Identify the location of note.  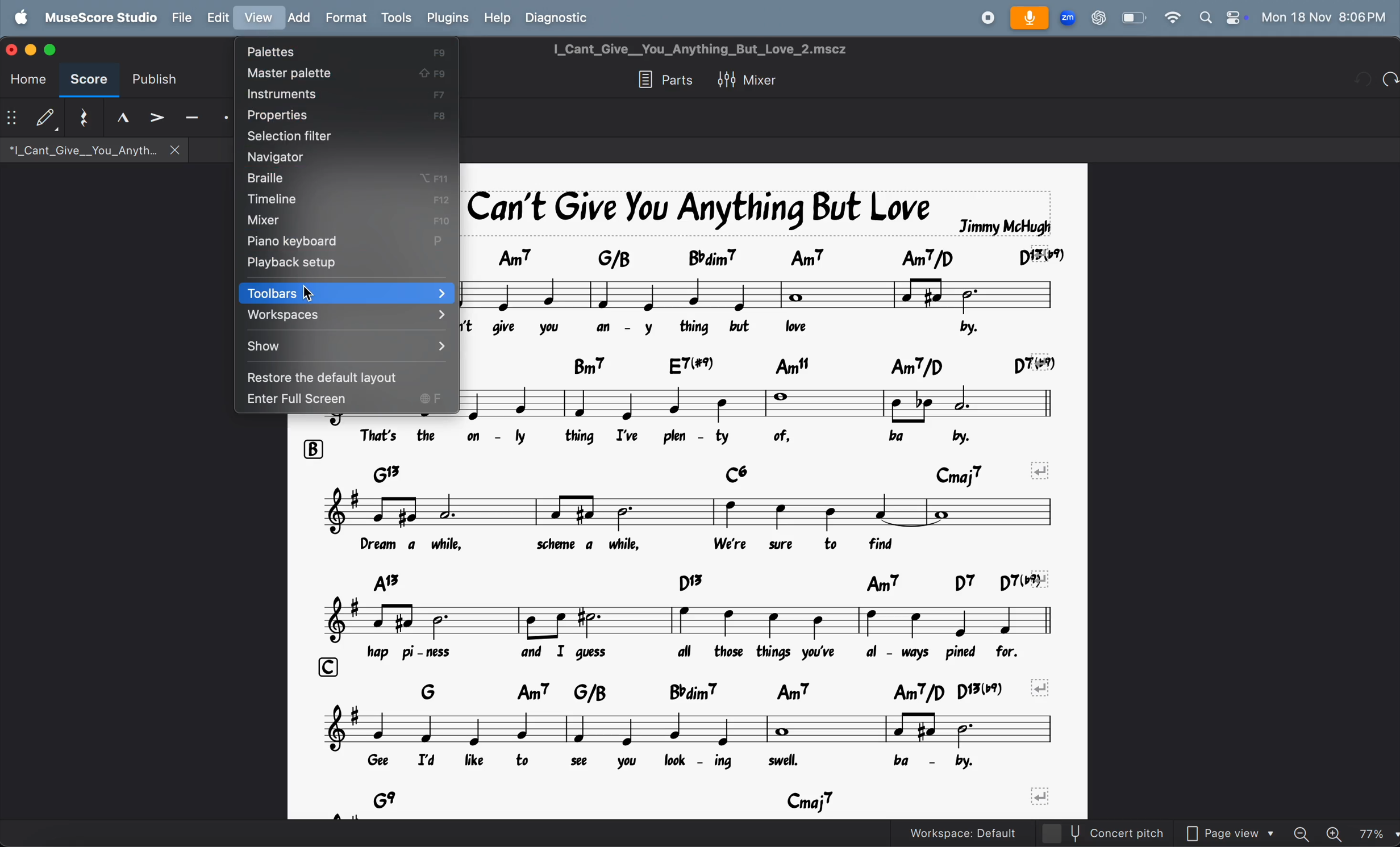
(765, 403).